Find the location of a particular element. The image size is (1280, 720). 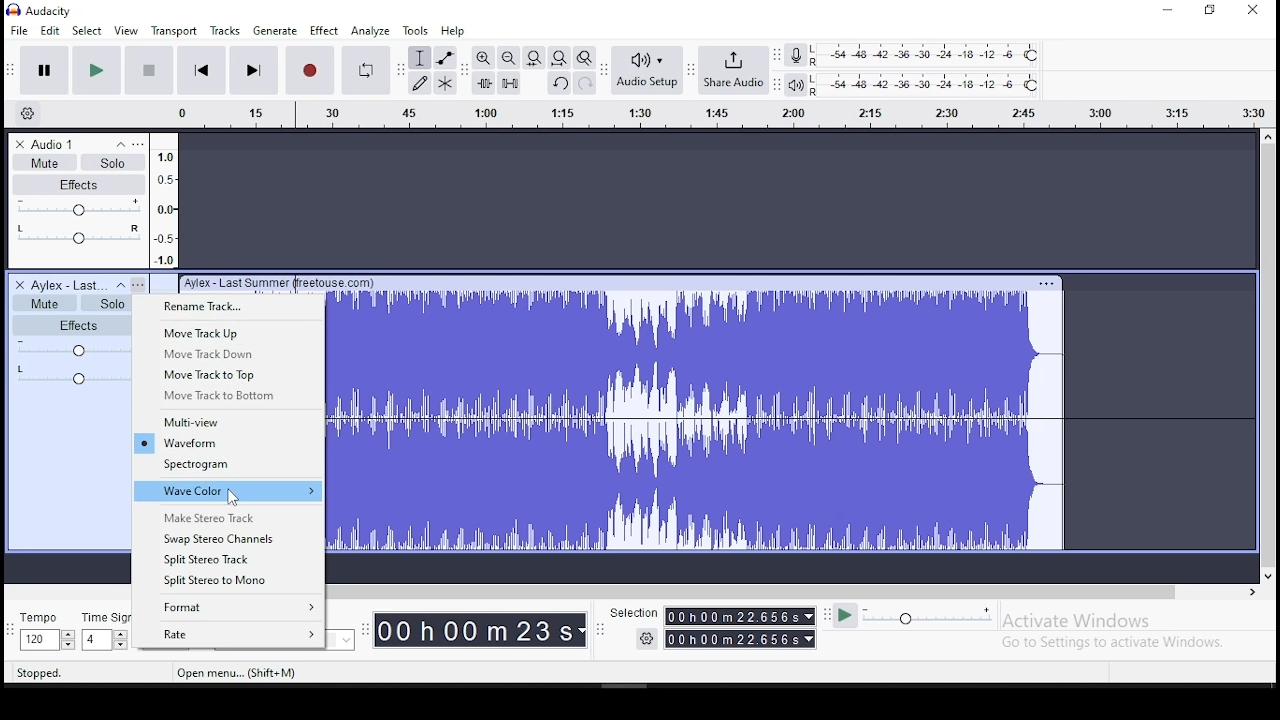

split stereo track is located at coordinates (230, 558).